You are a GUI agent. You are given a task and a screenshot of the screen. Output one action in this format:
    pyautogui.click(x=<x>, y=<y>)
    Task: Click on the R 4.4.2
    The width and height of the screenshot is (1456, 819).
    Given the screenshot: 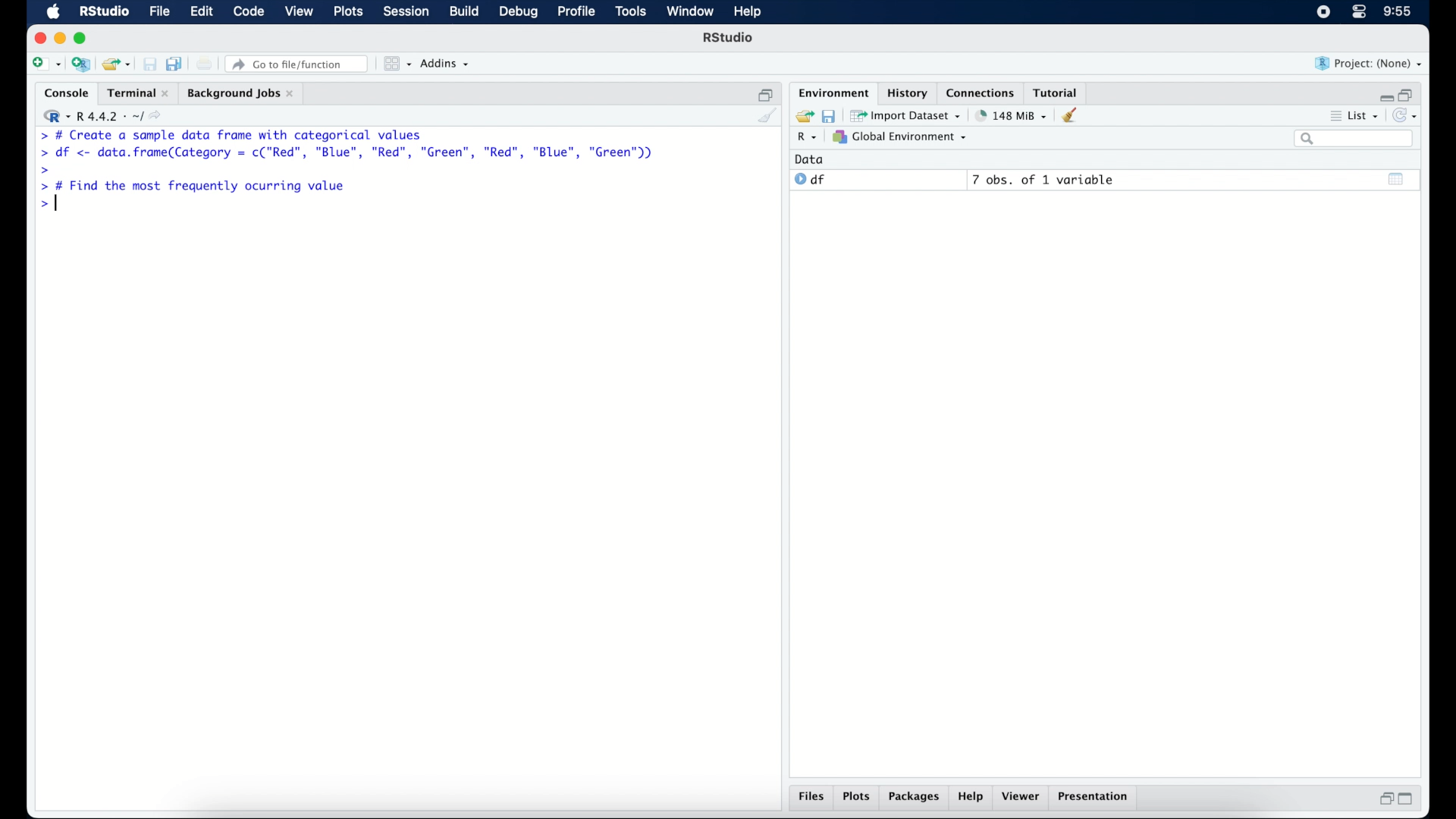 What is the action you would take?
    pyautogui.click(x=102, y=114)
    